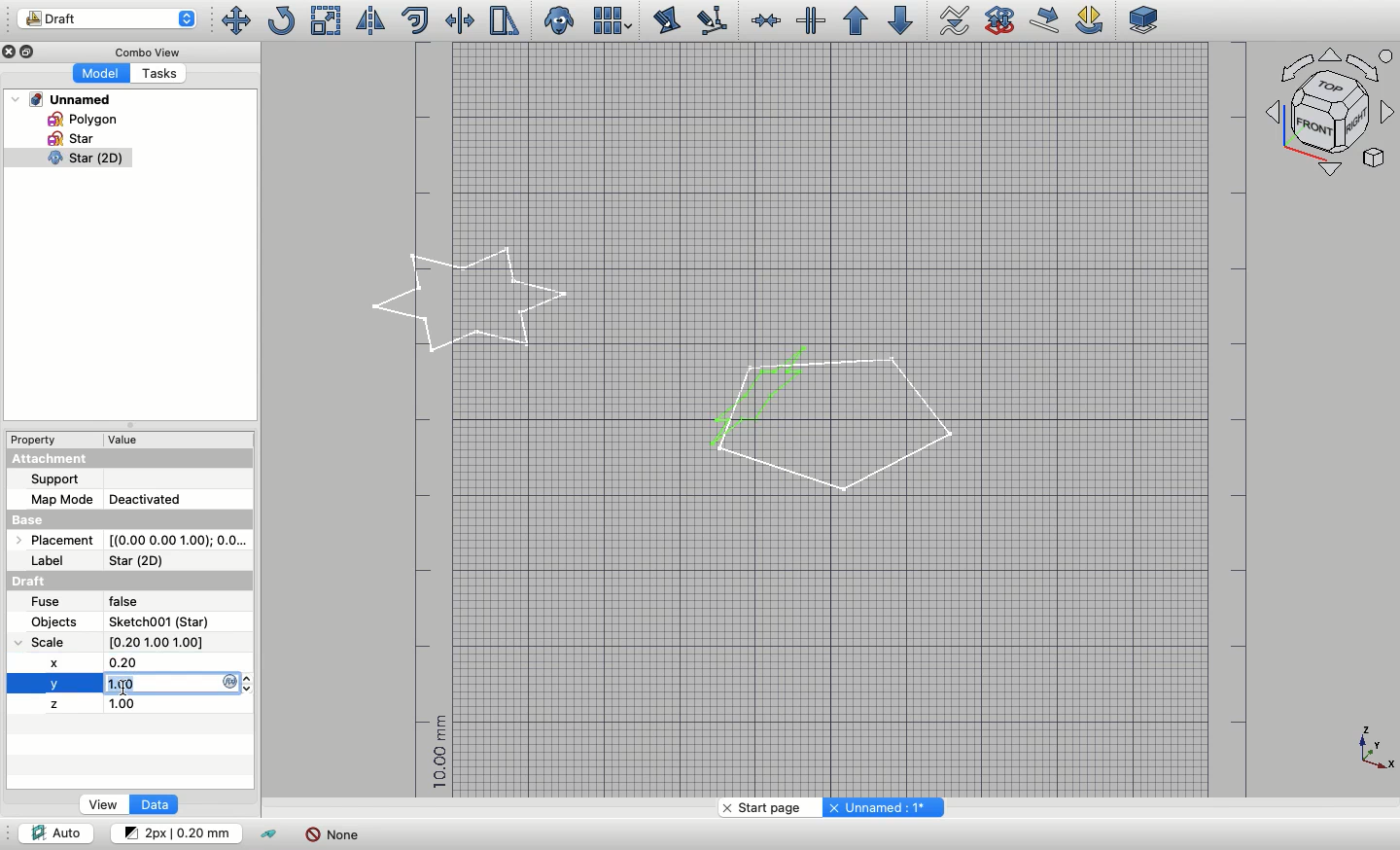 This screenshot has width=1400, height=850. I want to click on Star selected, so click(472, 301).